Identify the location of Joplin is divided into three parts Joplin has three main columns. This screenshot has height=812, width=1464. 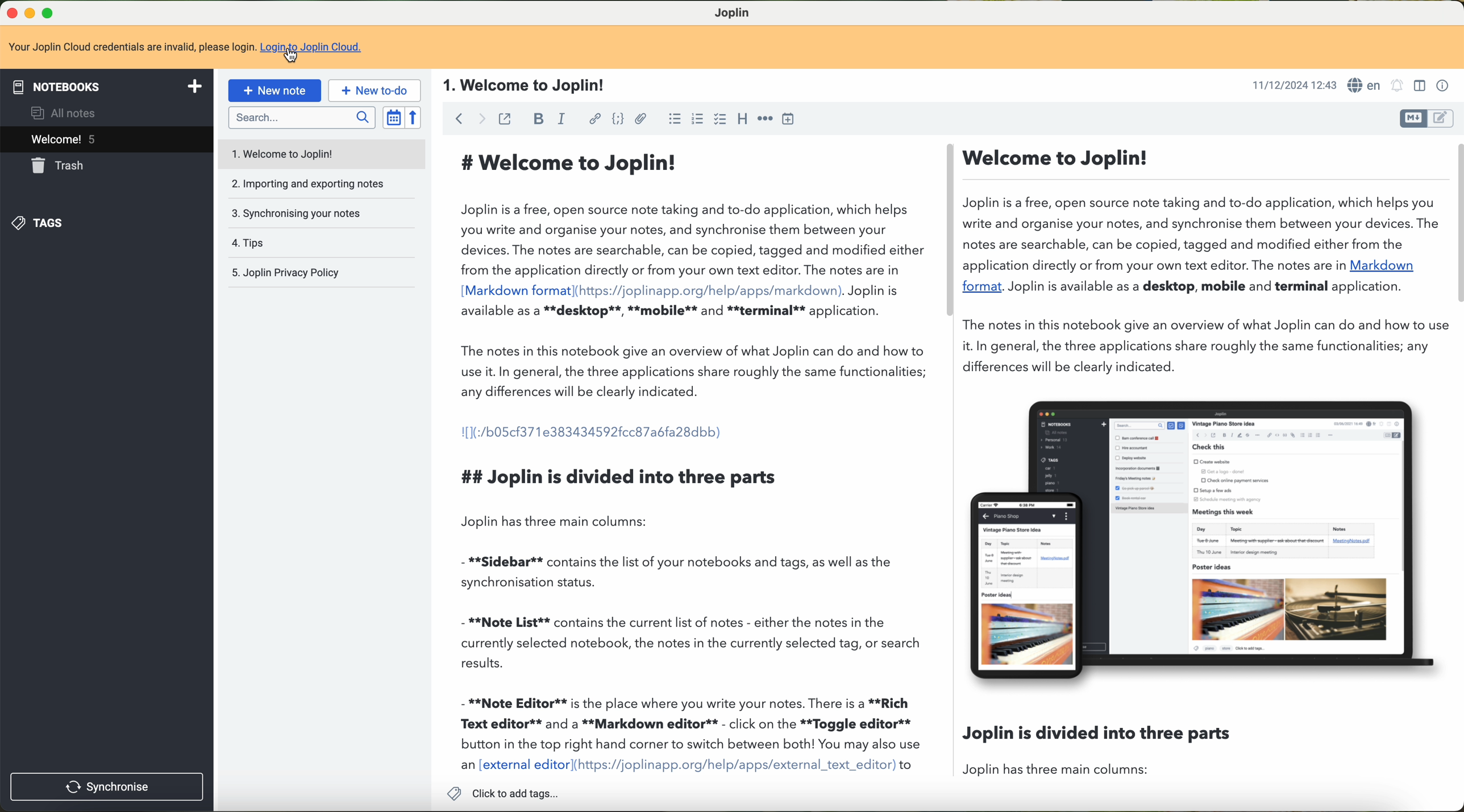
(953, 748).